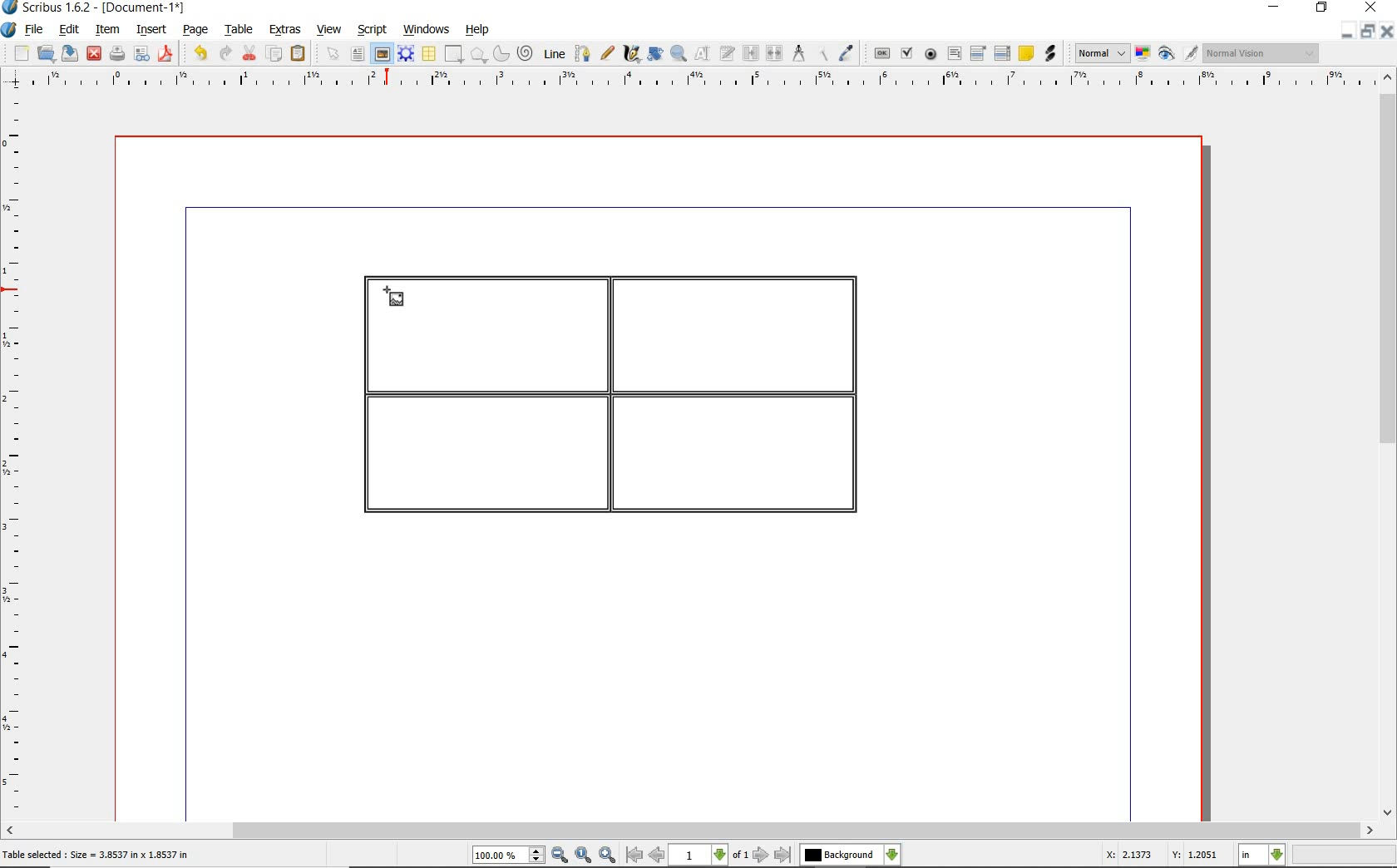 Image resolution: width=1397 pixels, height=868 pixels. Describe the element at coordinates (582, 53) in the screenshot. I see `bezier curve` at that location.